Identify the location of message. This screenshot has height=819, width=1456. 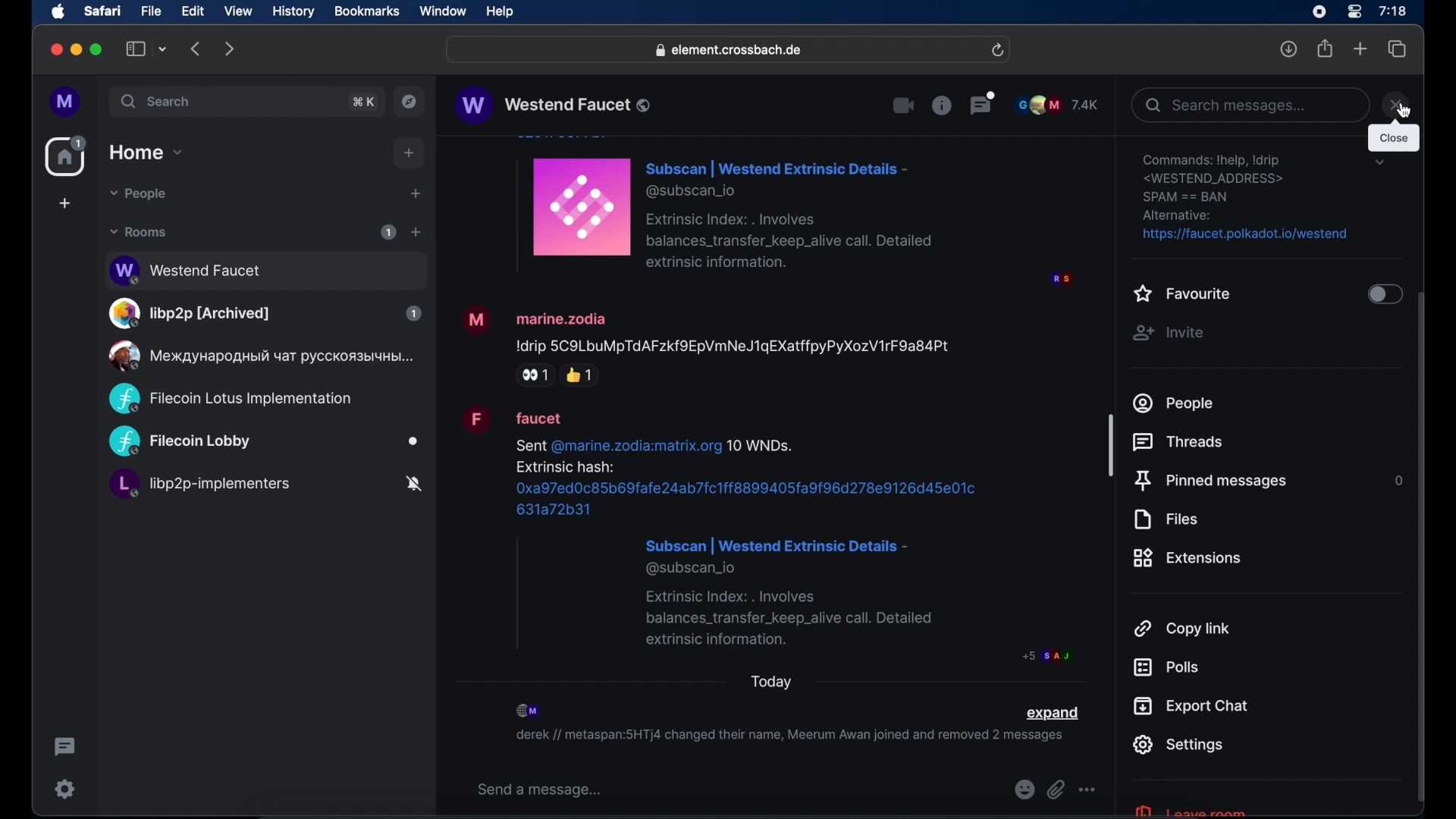
(707, 344).